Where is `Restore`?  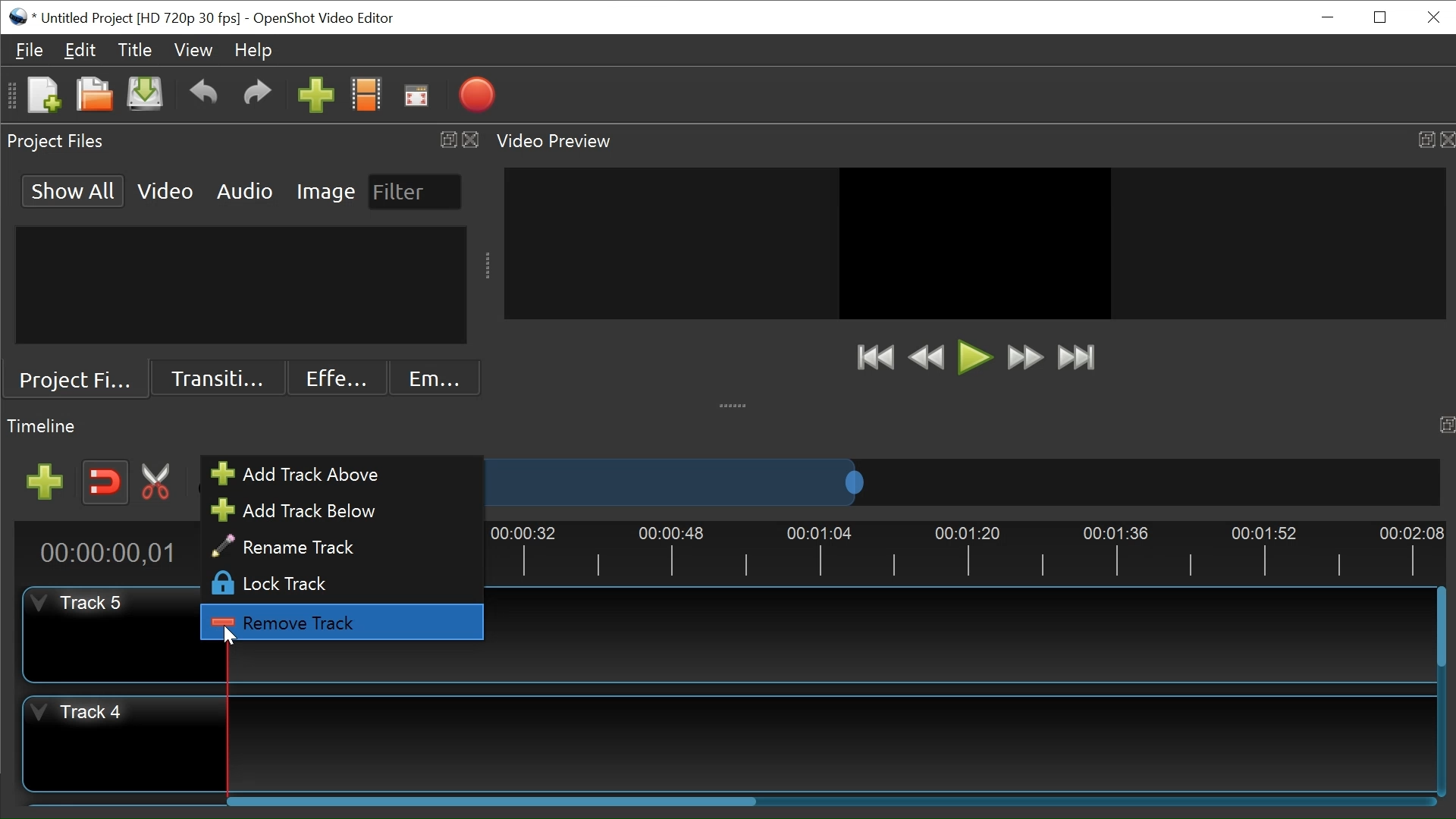 Restore is located at coordinates (1378, 18).